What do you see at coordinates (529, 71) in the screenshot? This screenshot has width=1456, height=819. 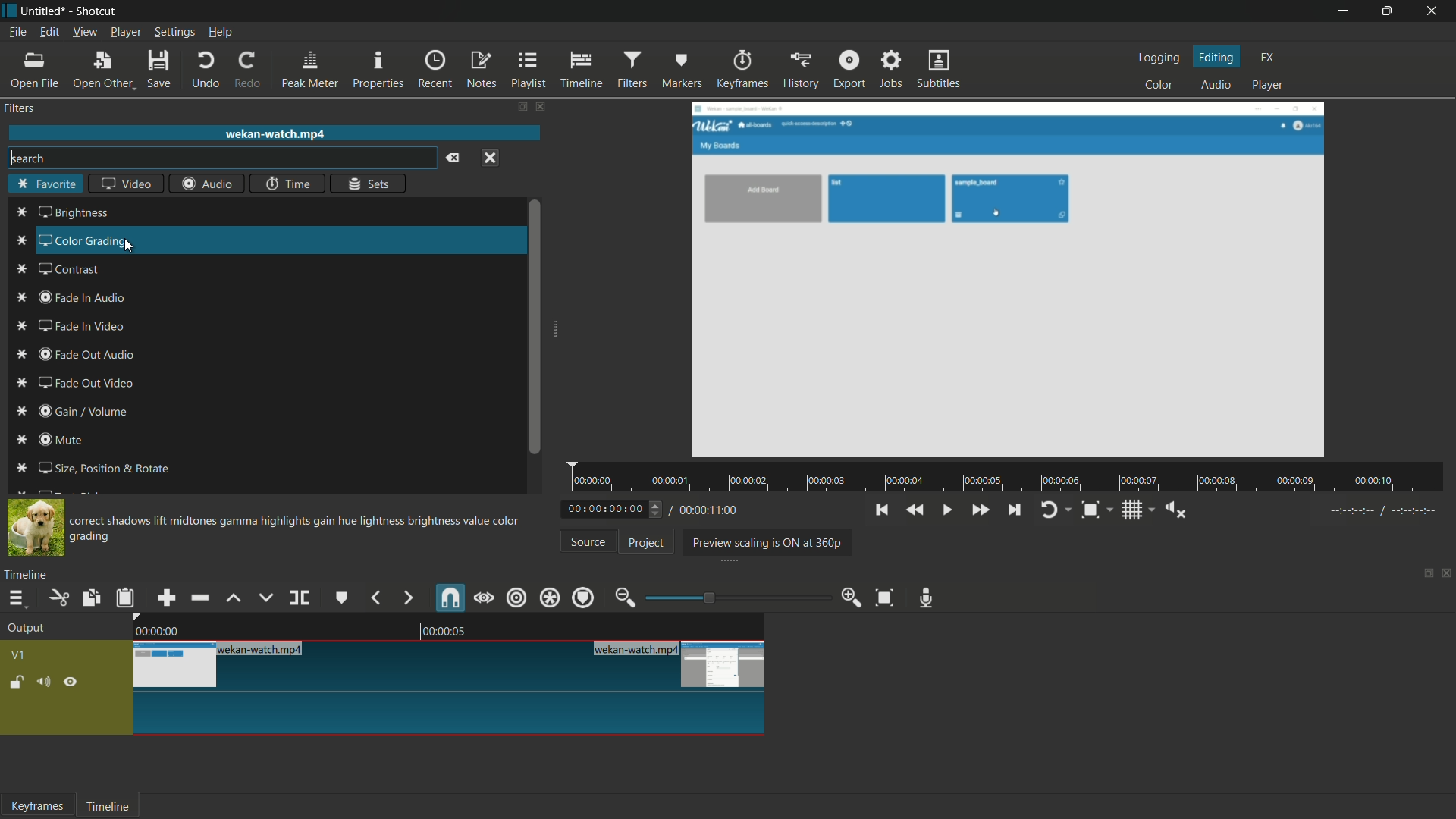 I see `playlist` at bounding box center [529, 71].